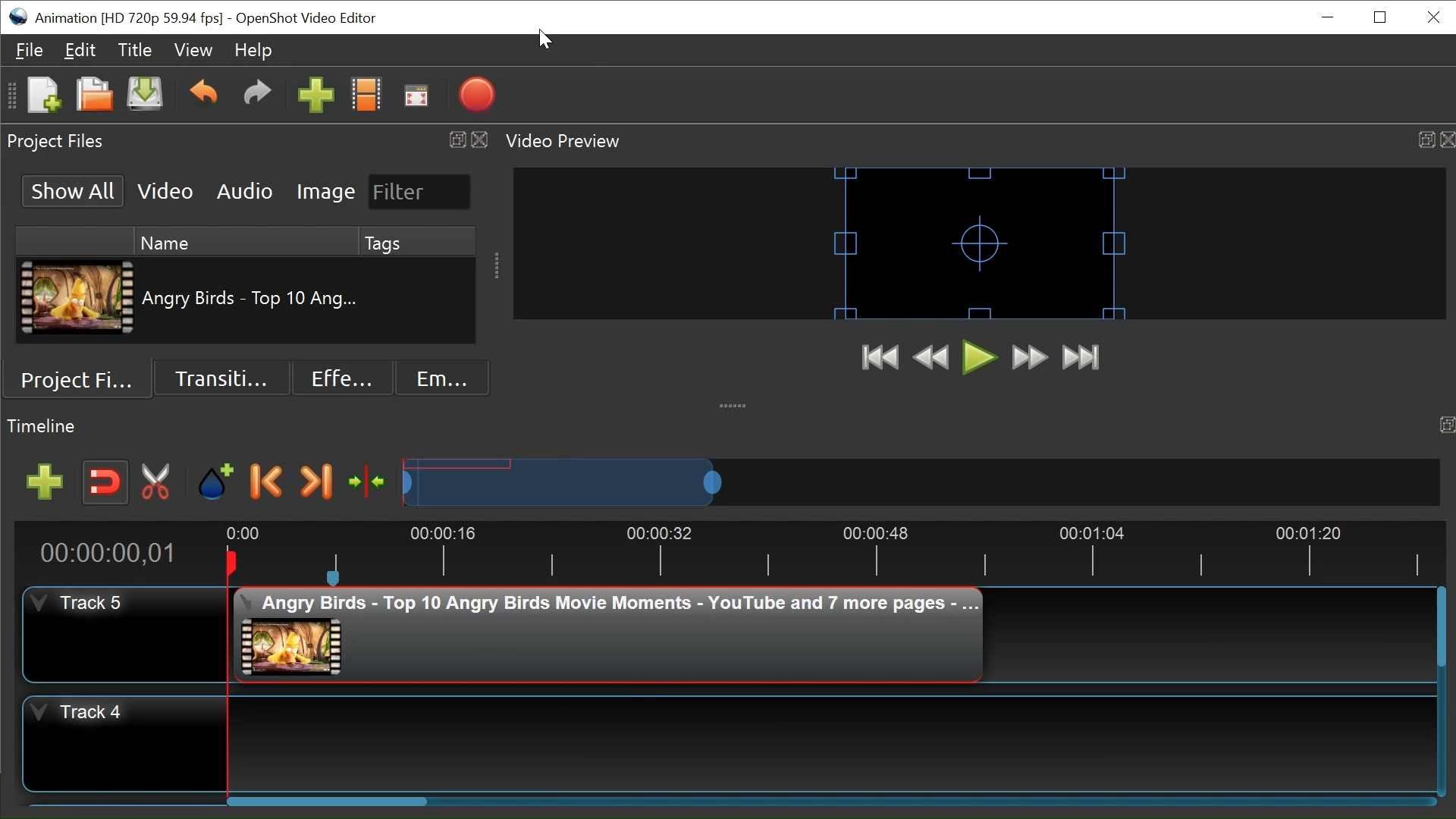  I want to click on Export Video, so click(479, 97).